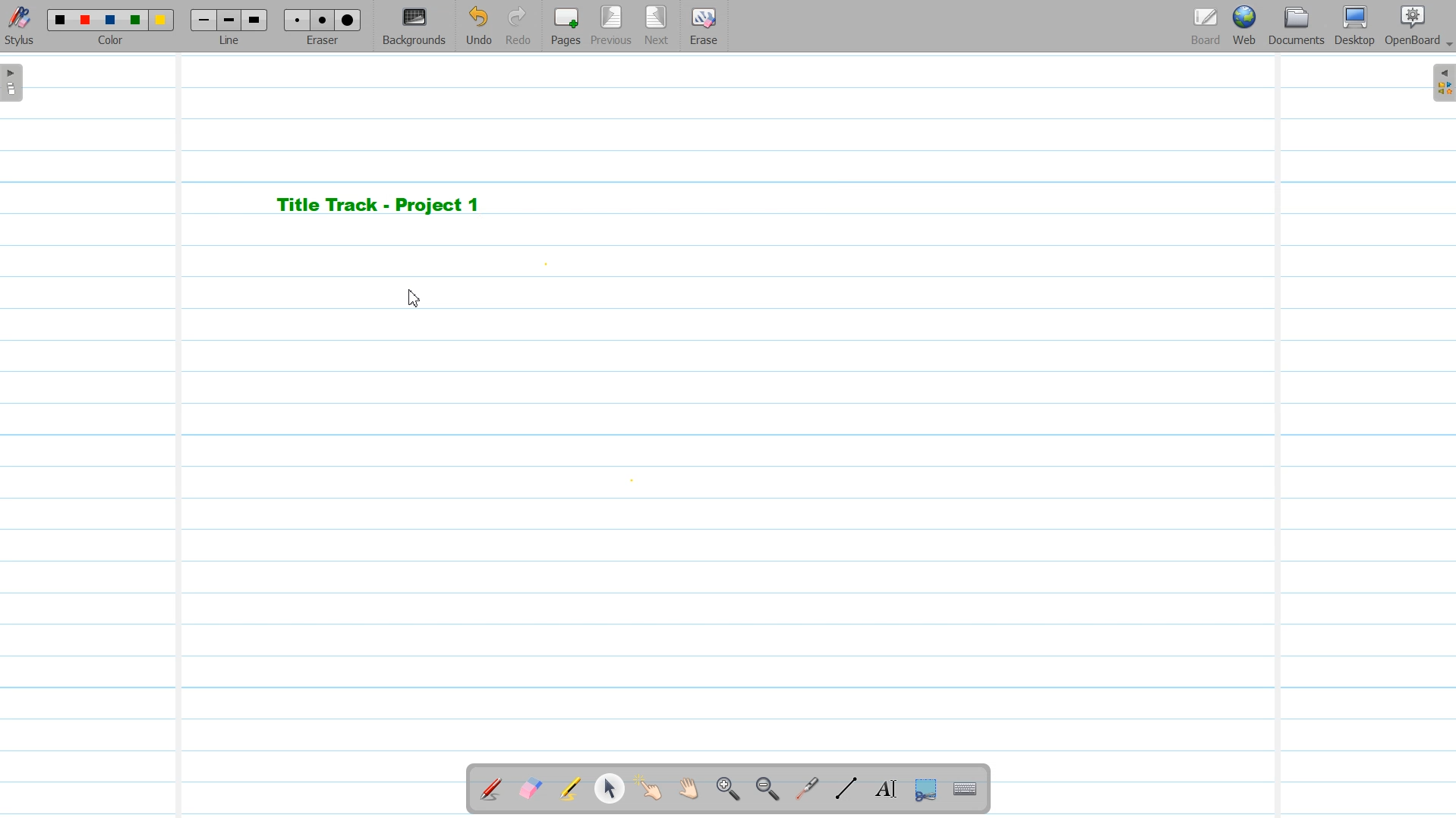 Image resolution: width=1456 pixels, height=818 pixels. Describe the element at coordinates (478, 27) in the screenshot. I see `Undo` at that location.